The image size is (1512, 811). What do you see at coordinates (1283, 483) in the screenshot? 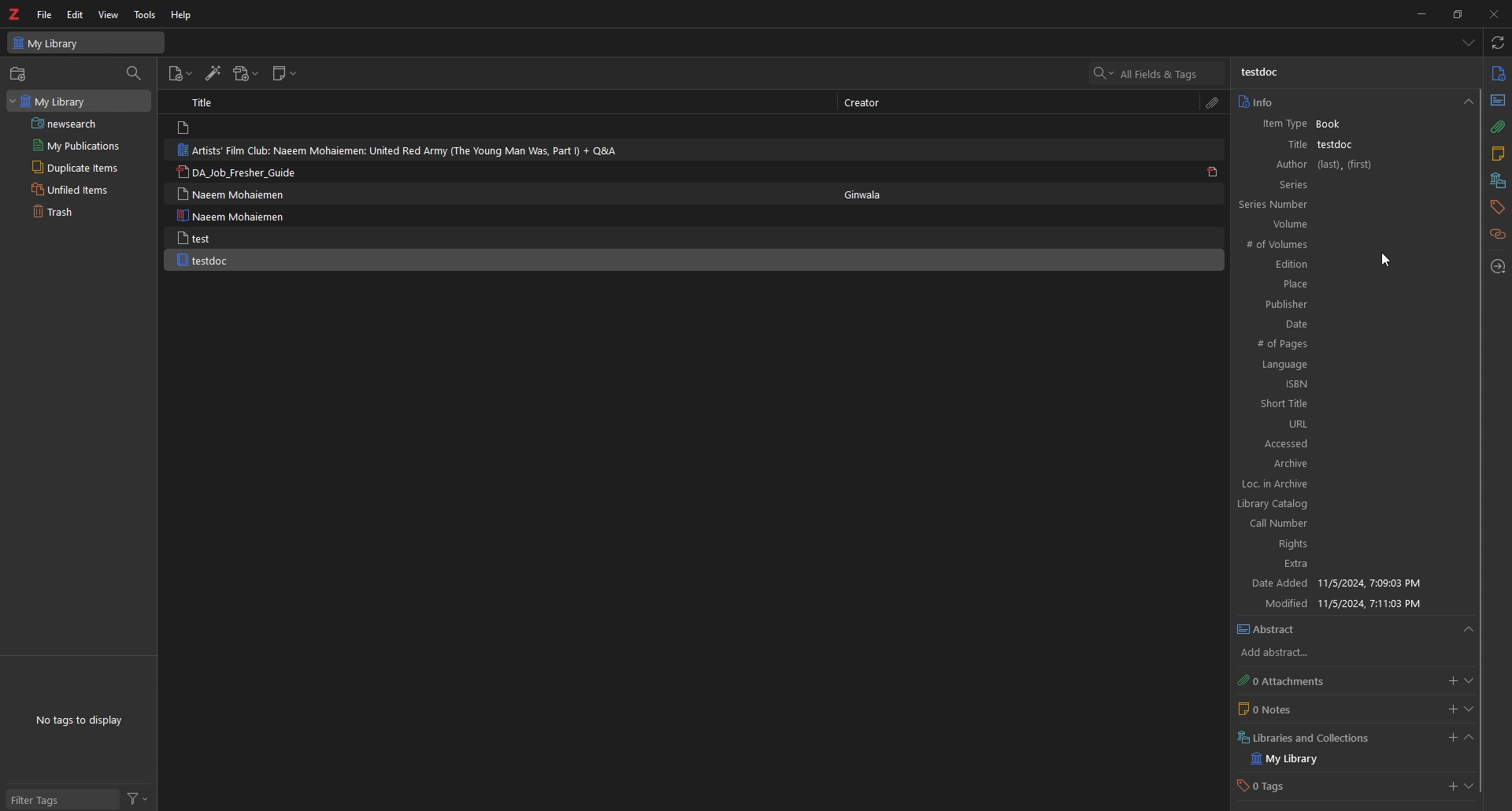
I see `Loc. in Archive` at bounding box center [1283, 483].